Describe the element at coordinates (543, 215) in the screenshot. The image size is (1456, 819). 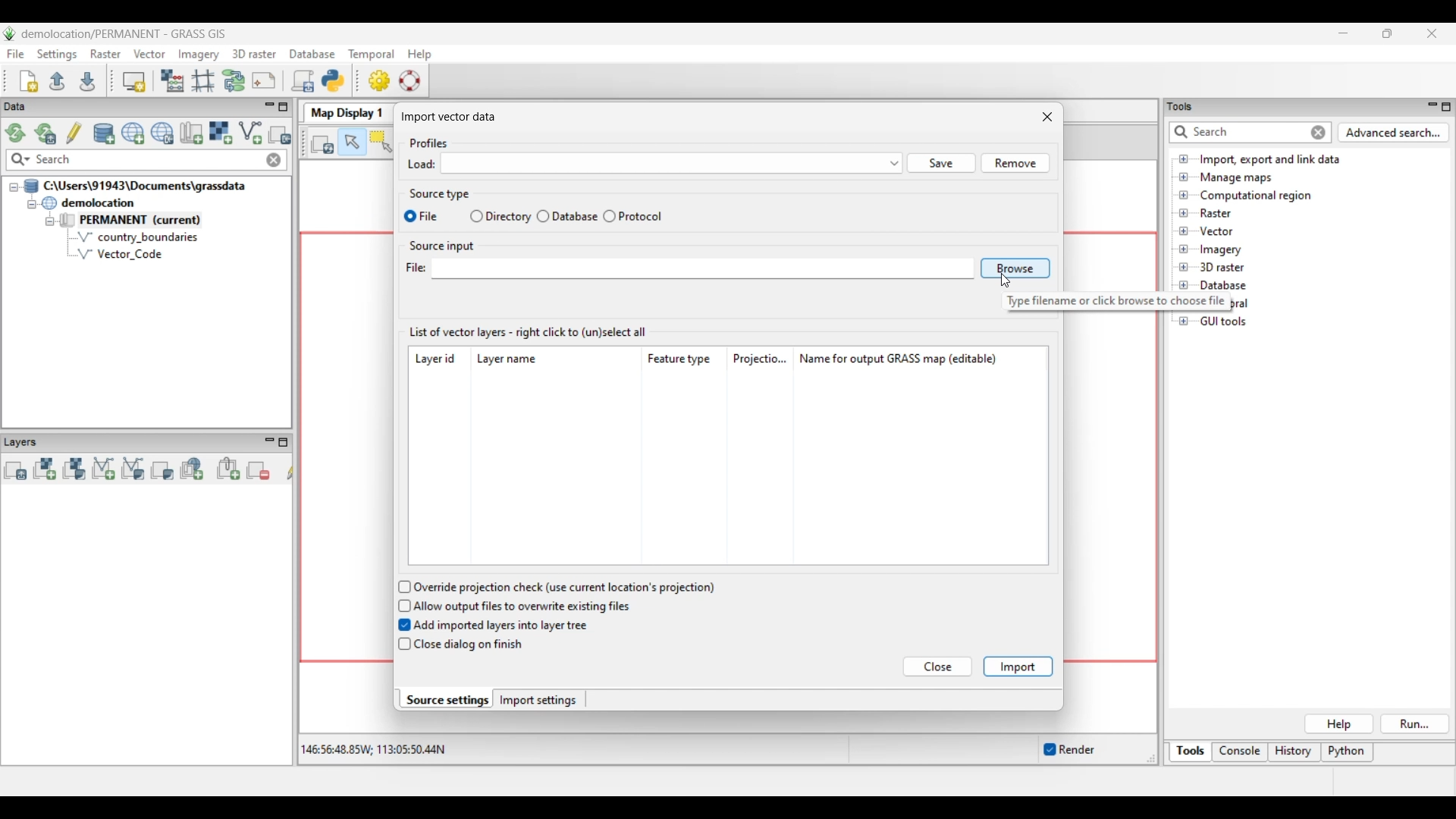
I see `select` at that location.